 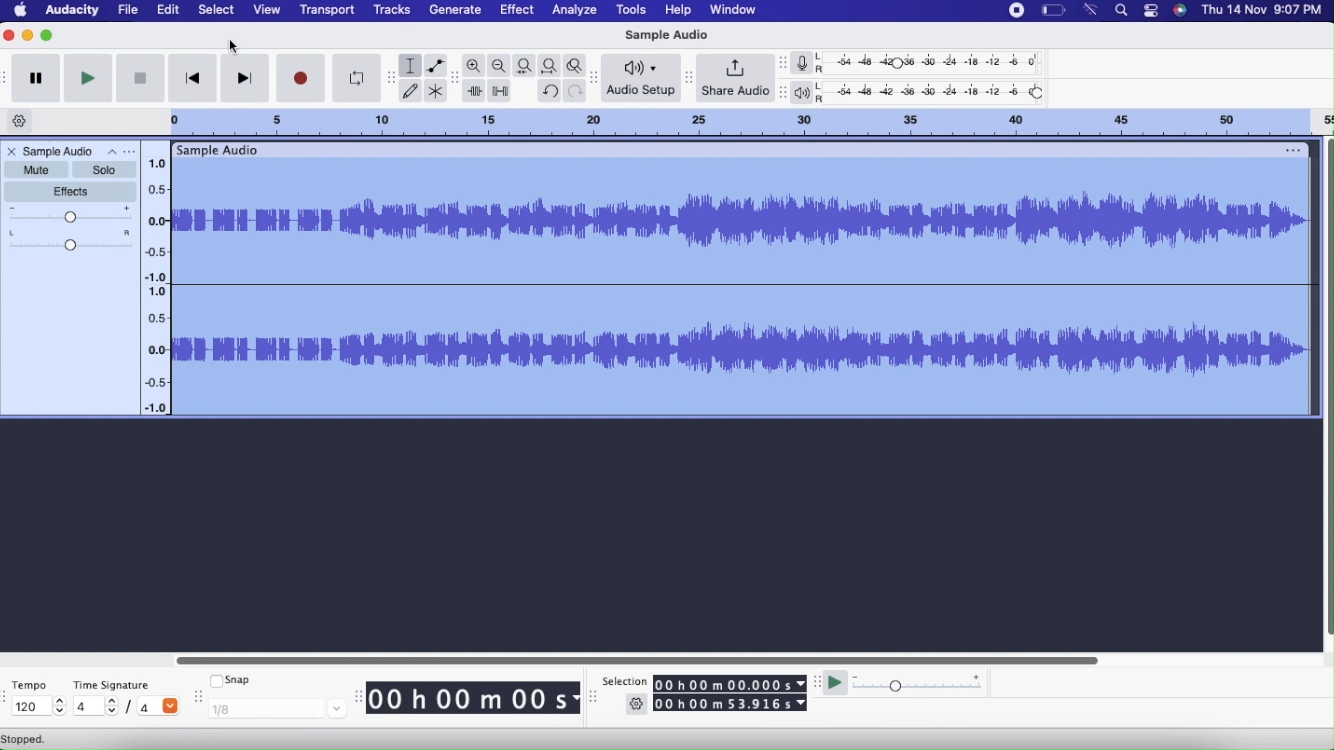 What do you see at coordinates (745, 279) in the screenshot?
I see `Sample Audio` at bounding box center [745, 279].